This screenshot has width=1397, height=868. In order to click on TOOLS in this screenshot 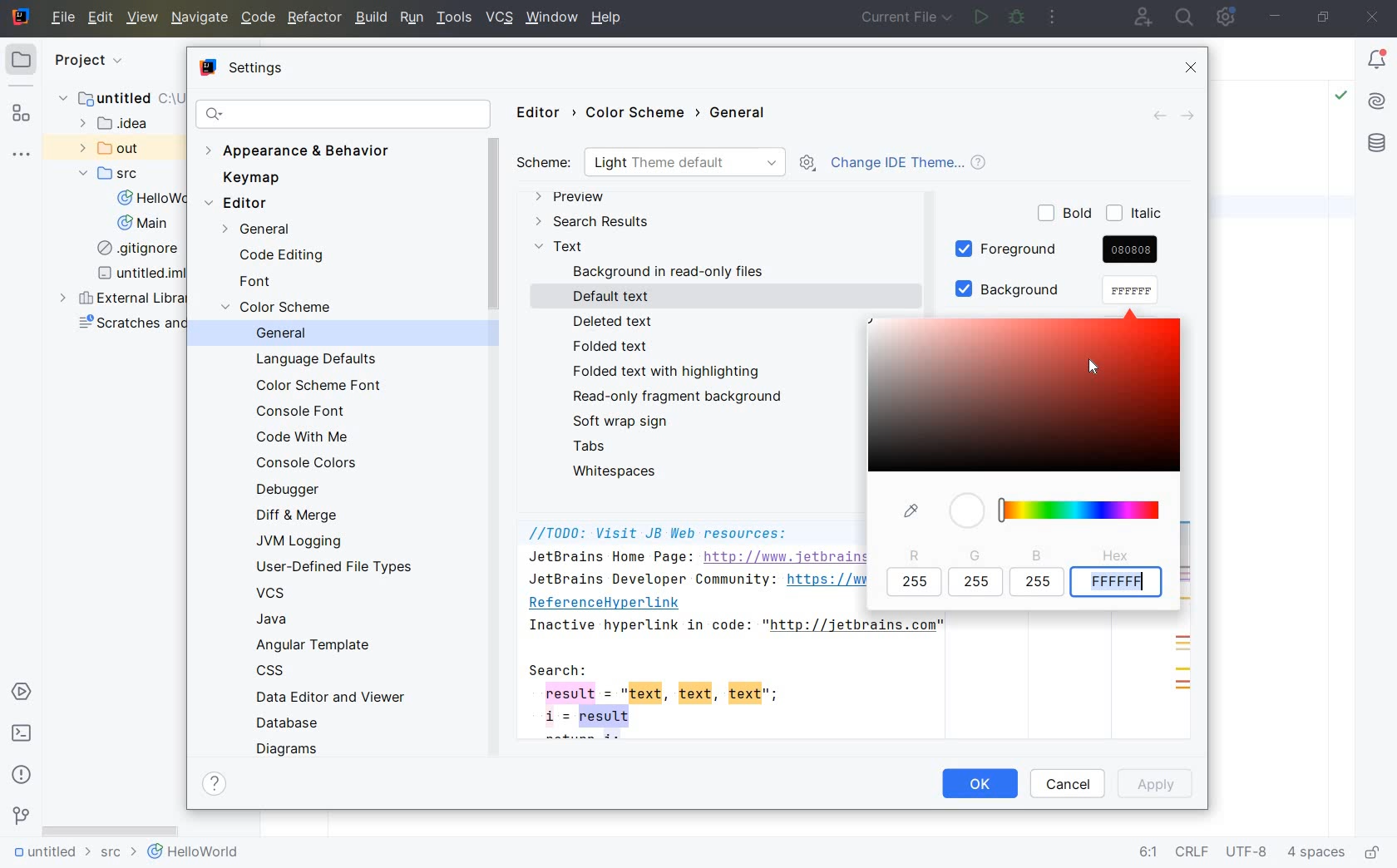, I will do `click(455, 18)`.